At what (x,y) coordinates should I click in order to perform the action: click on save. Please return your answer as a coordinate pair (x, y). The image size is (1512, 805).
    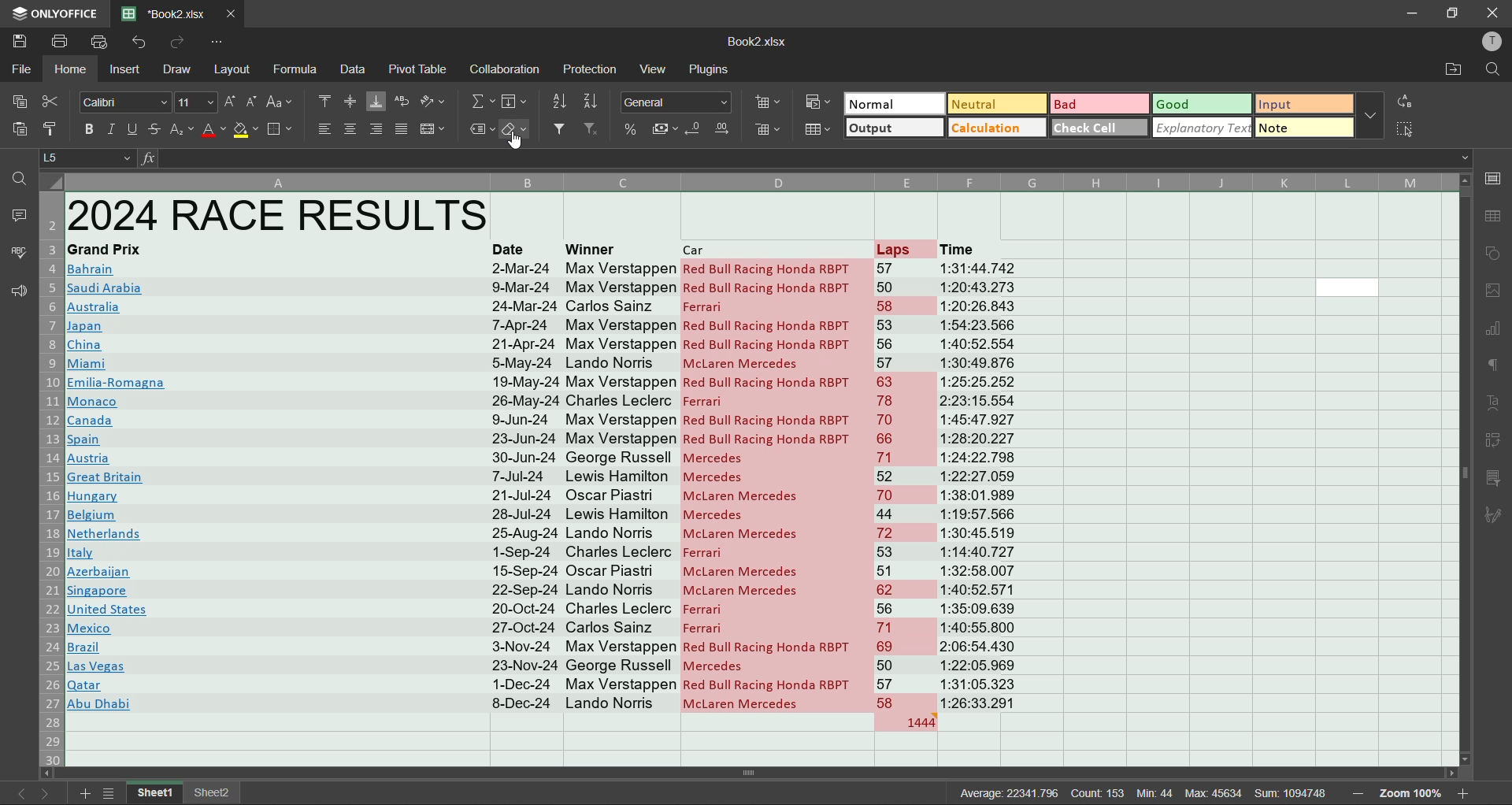
    Looking at the image, I should click on (18, 42).